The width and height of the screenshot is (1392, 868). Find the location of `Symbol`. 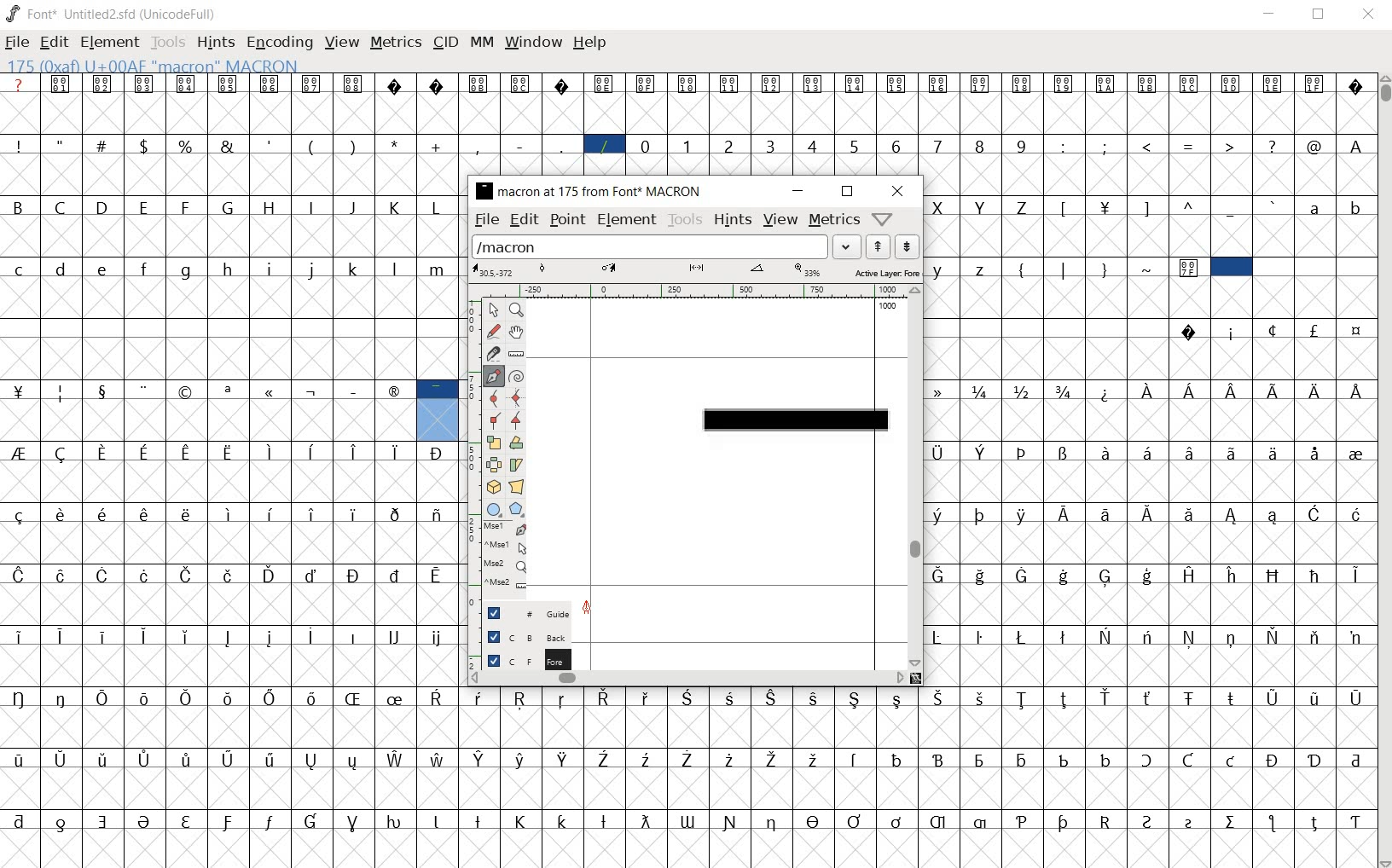

Symbol is located at coordinates (1064, 575).